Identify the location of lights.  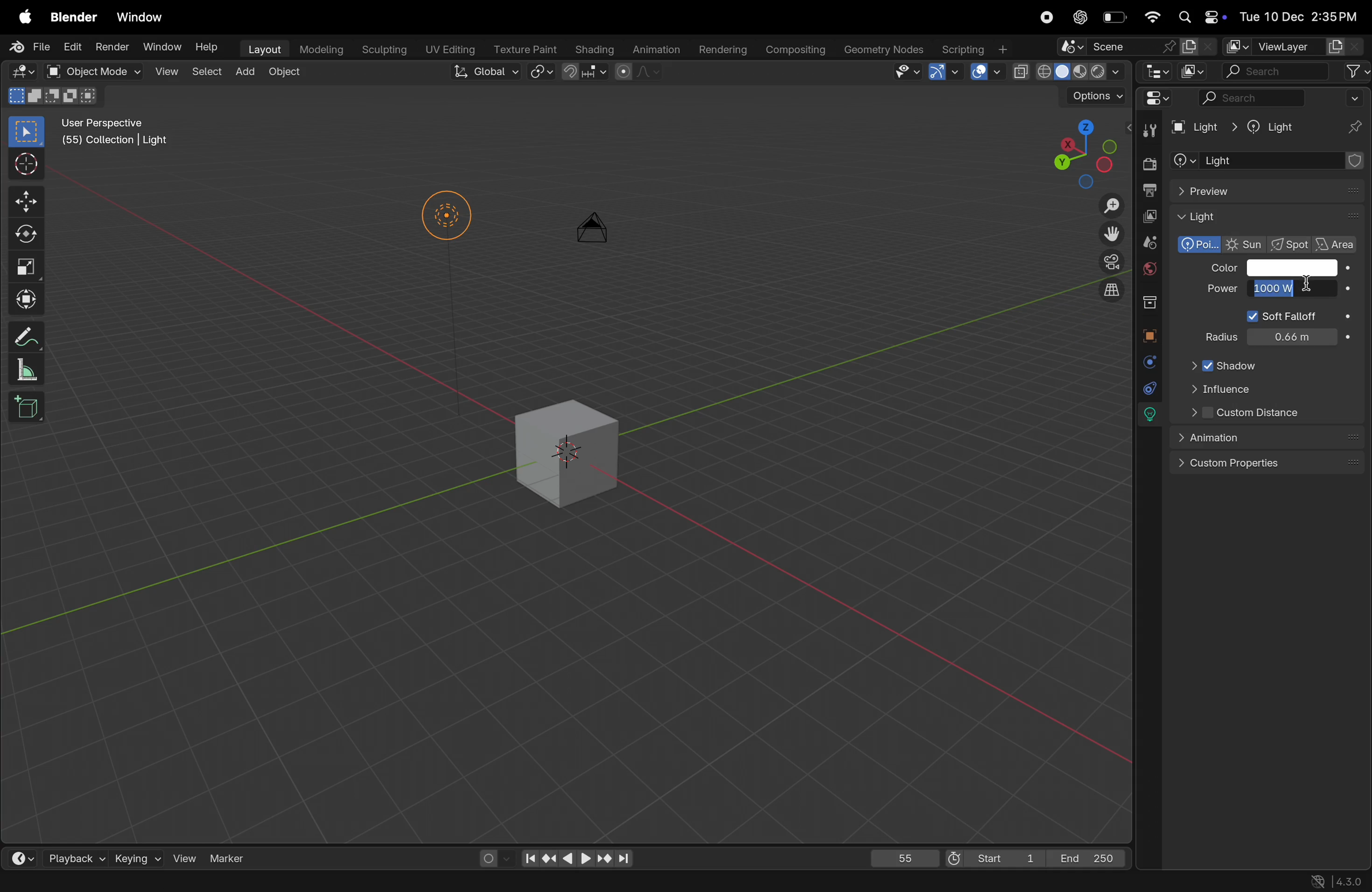
(1148, 415).